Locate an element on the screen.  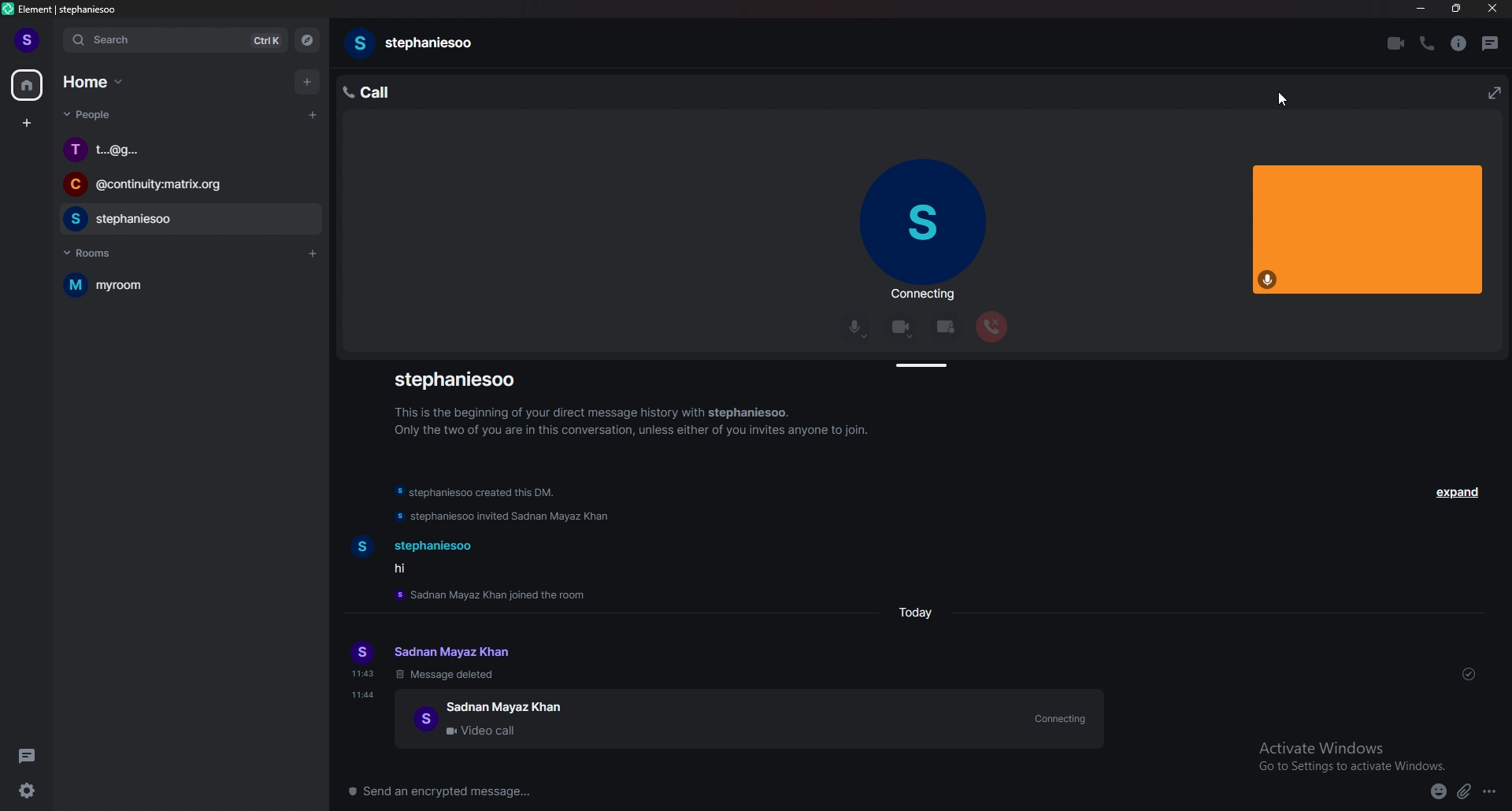
usernamename is located at coordinates (417, 43).